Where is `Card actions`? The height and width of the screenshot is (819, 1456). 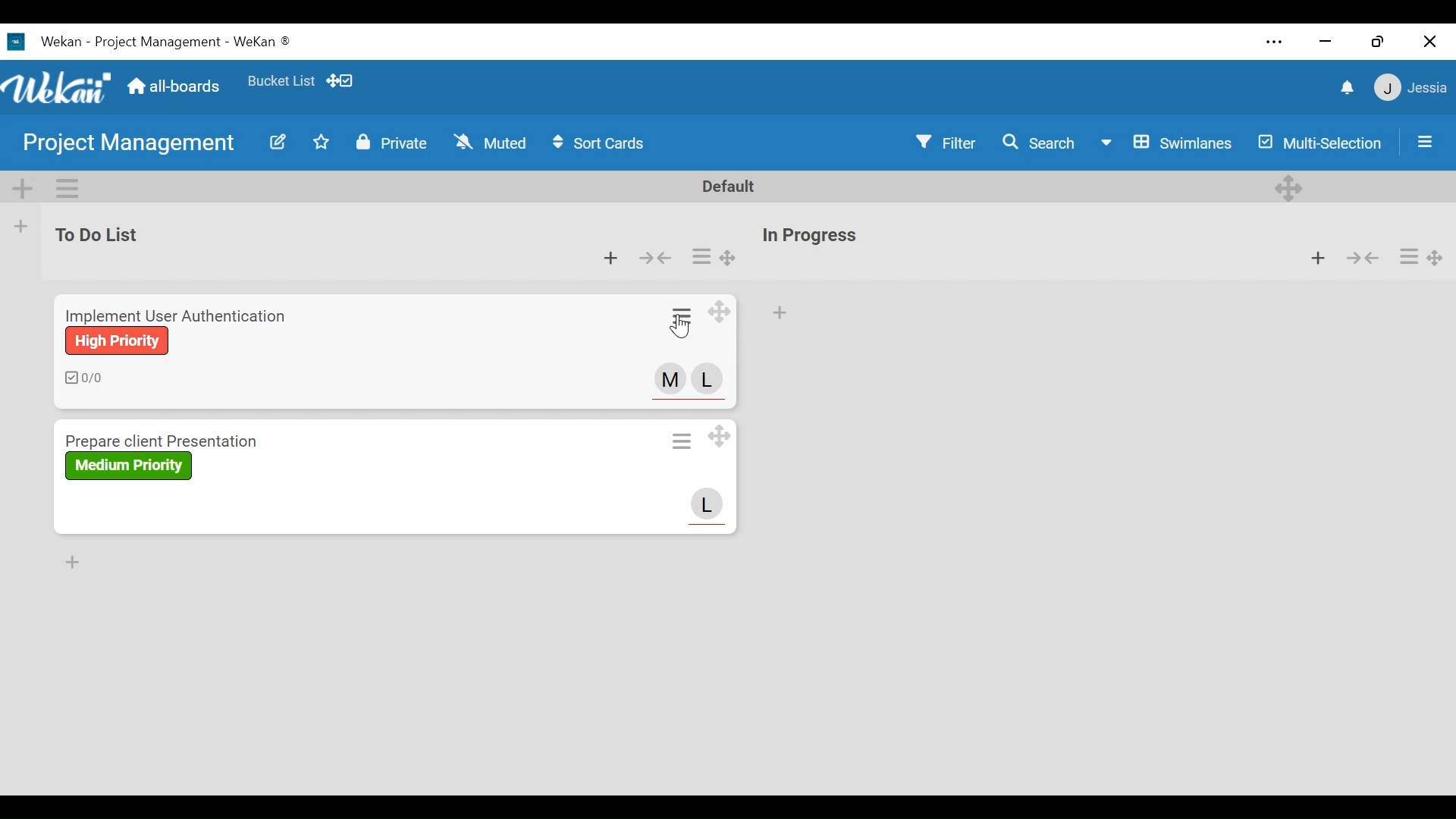
Card actions is located at coordinates (685, 440).